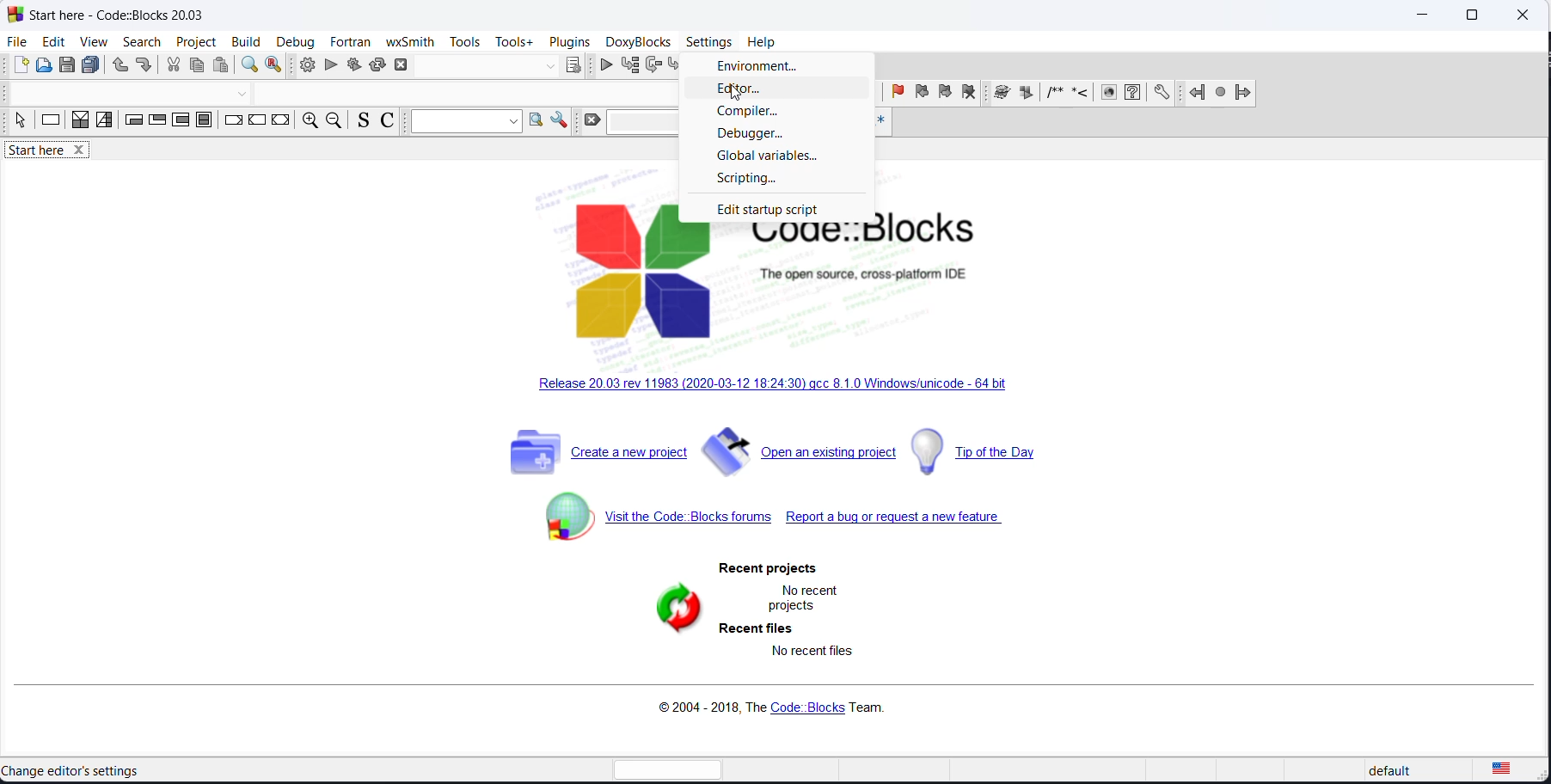 This screenshot has width=1551, height=784. Describe the element at coordinates (1244, 95) in the screenshot. I see `jump forward` at that location.